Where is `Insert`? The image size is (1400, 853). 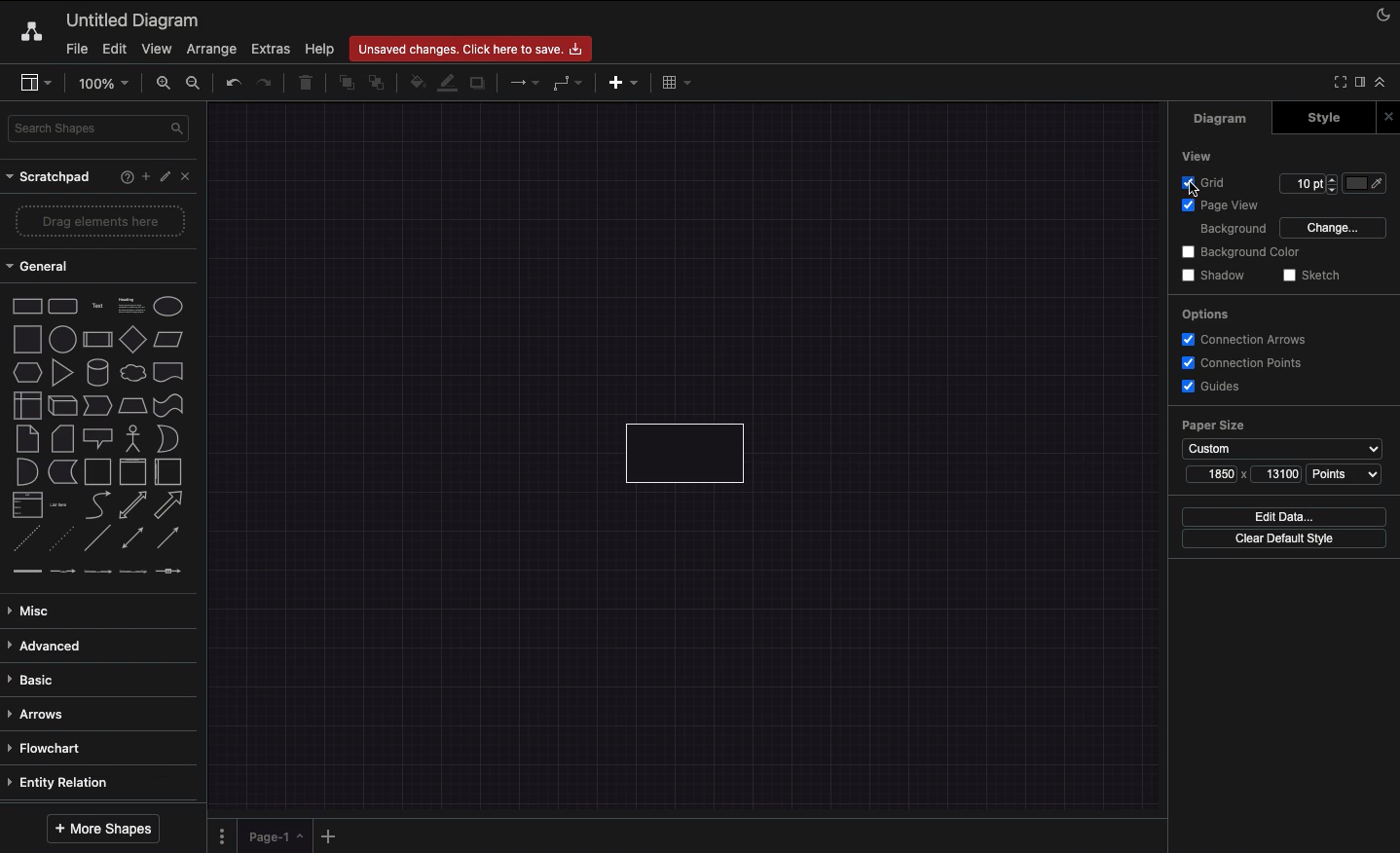 Insert is located at coordinates (622, 83).